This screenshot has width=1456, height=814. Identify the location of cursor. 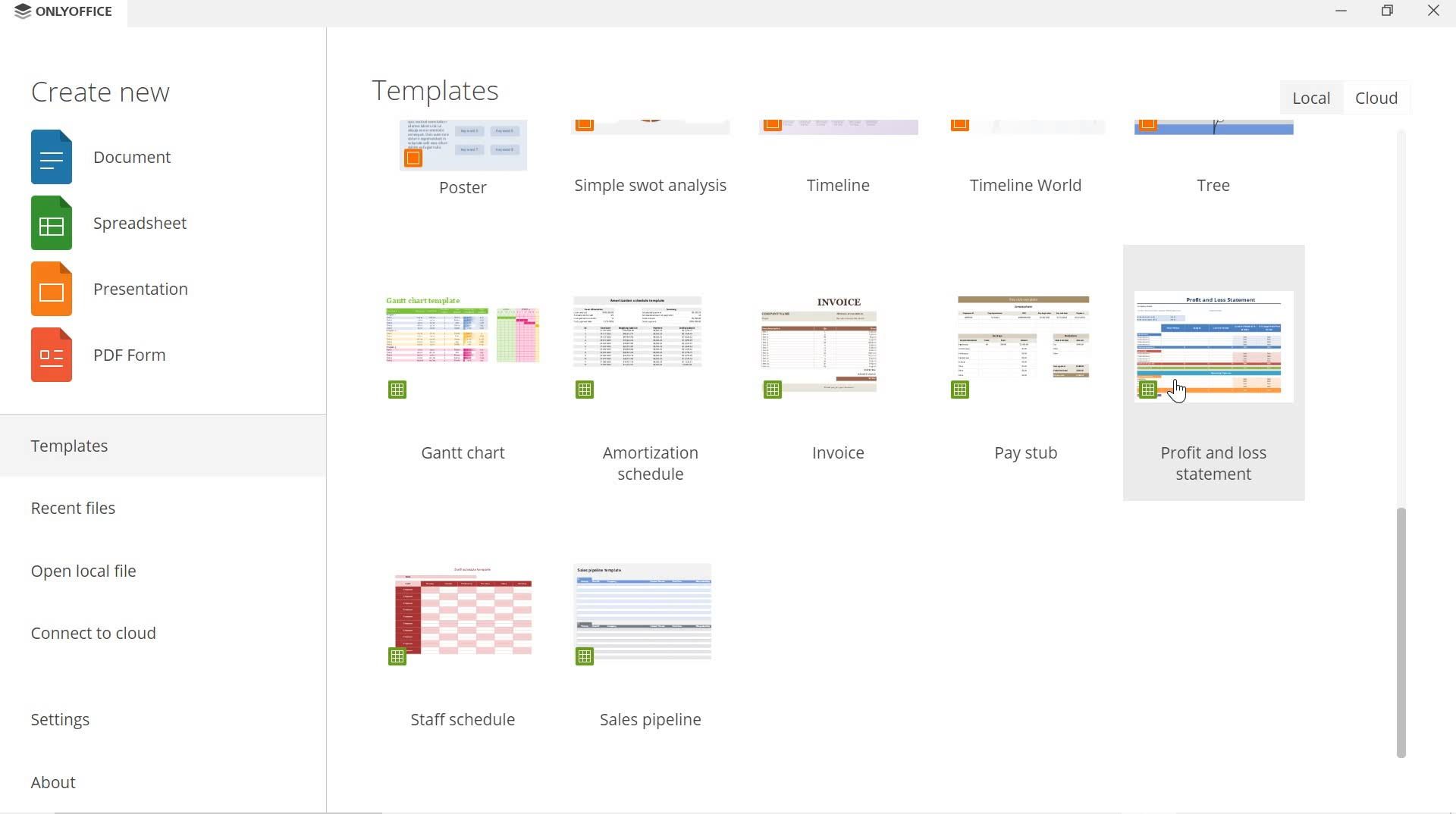
(1181, 391).